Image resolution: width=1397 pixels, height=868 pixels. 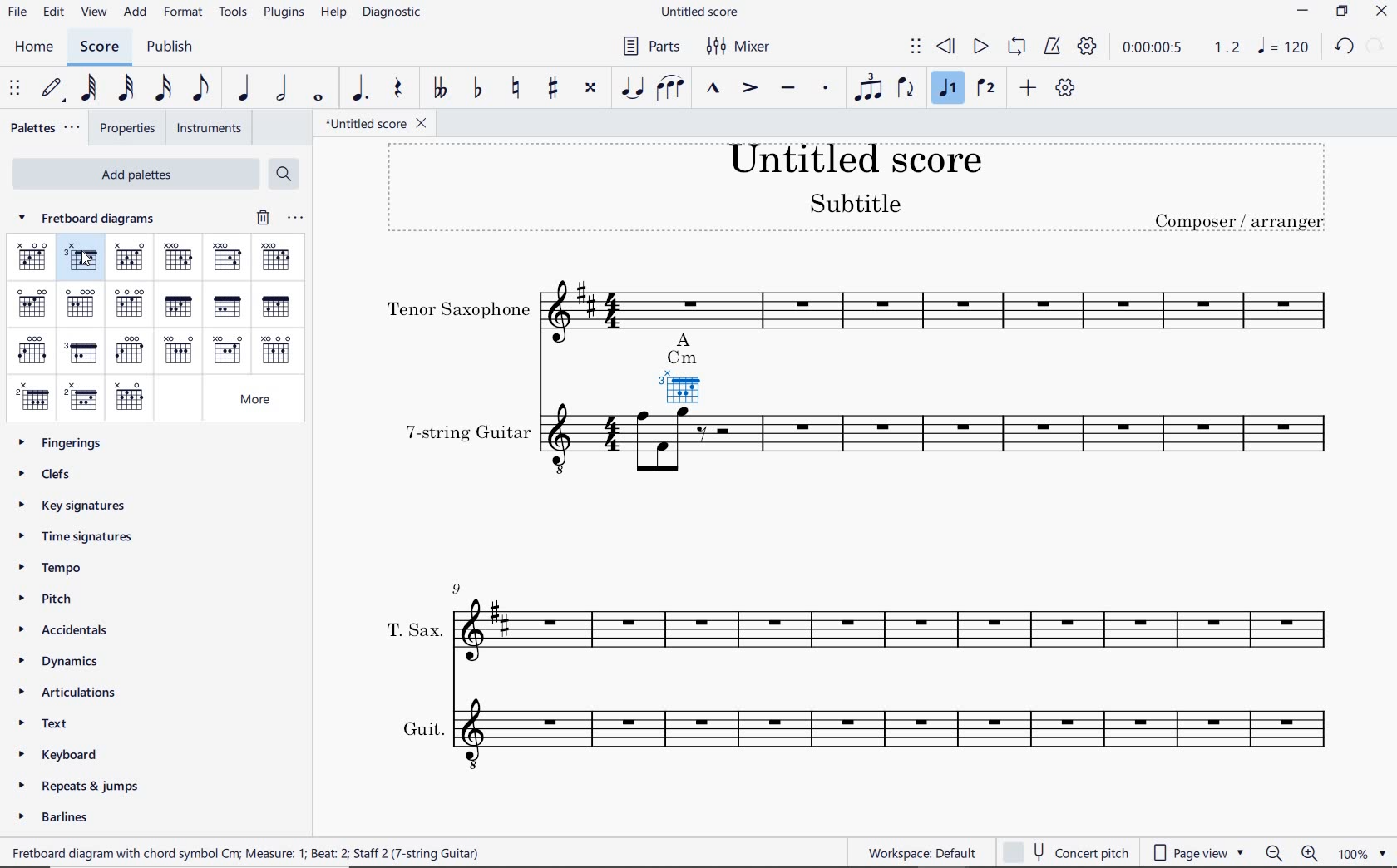 I want to click on DYNAMICS, so click(x=73, y=660).